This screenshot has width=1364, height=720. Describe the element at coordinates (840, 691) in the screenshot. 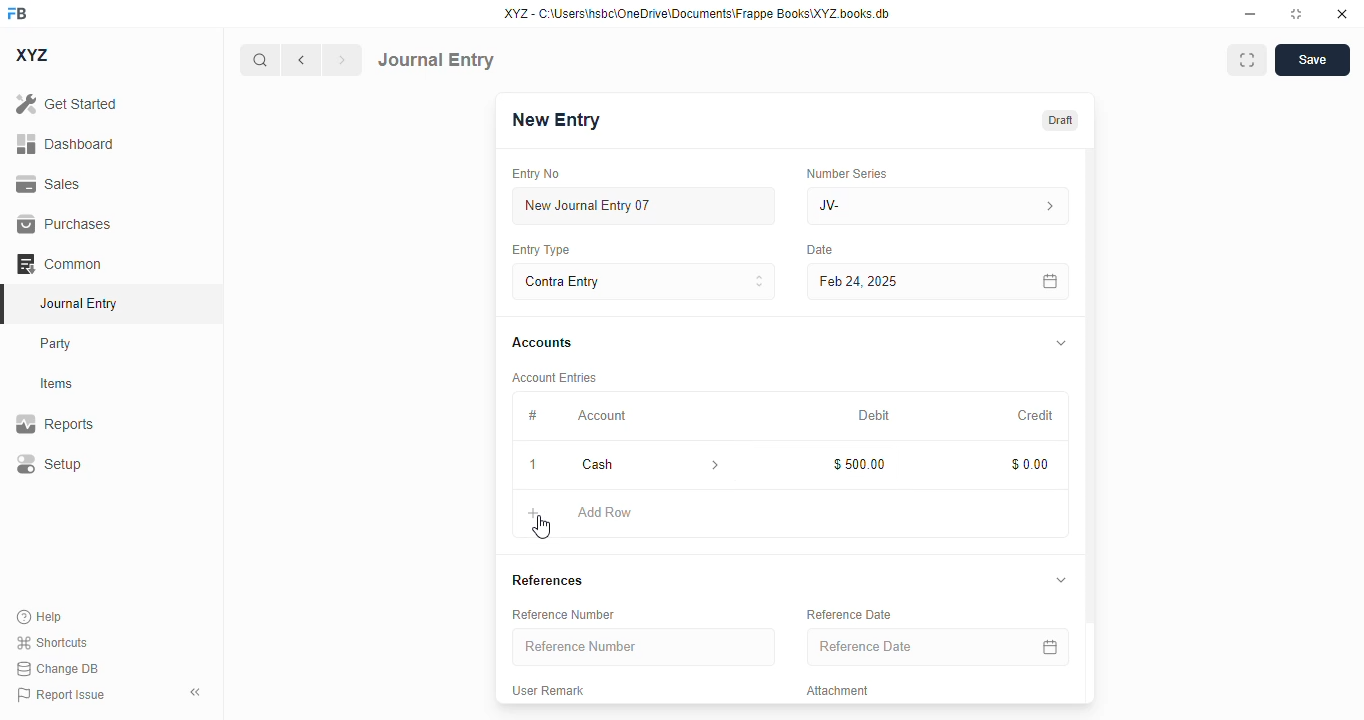

I see `attachment` at that location.